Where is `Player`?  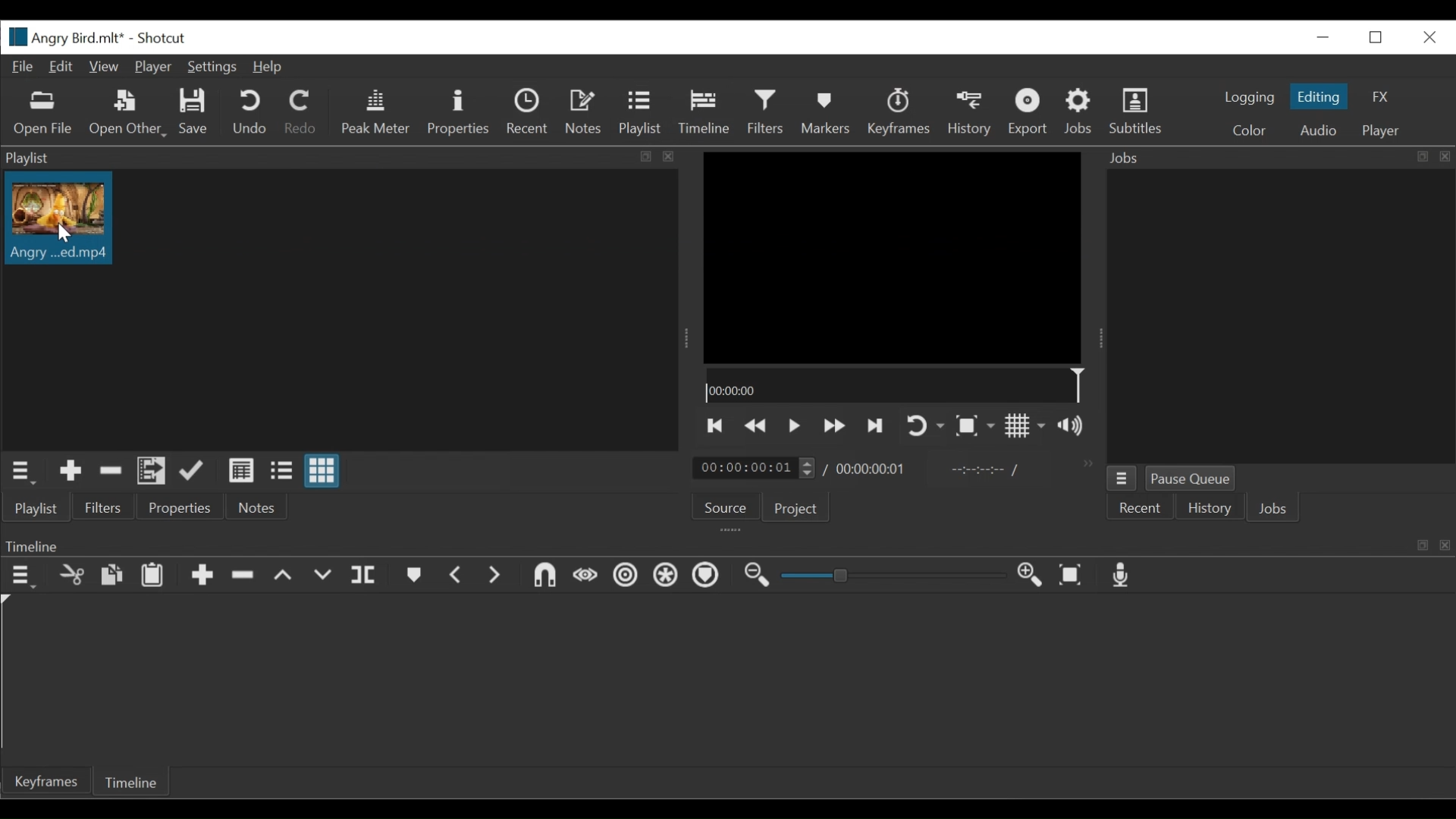 Player is located at coordinates (152, 67).